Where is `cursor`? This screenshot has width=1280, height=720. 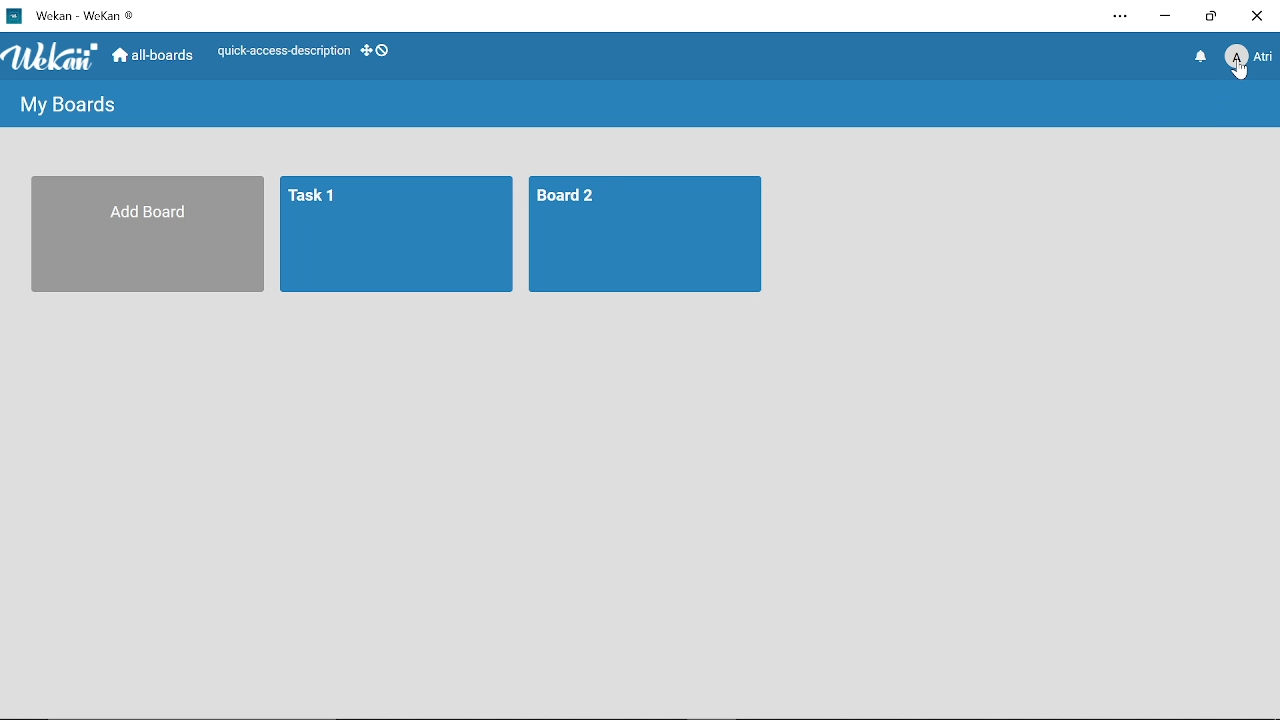
cursor is located at coordinates (1239, 74).